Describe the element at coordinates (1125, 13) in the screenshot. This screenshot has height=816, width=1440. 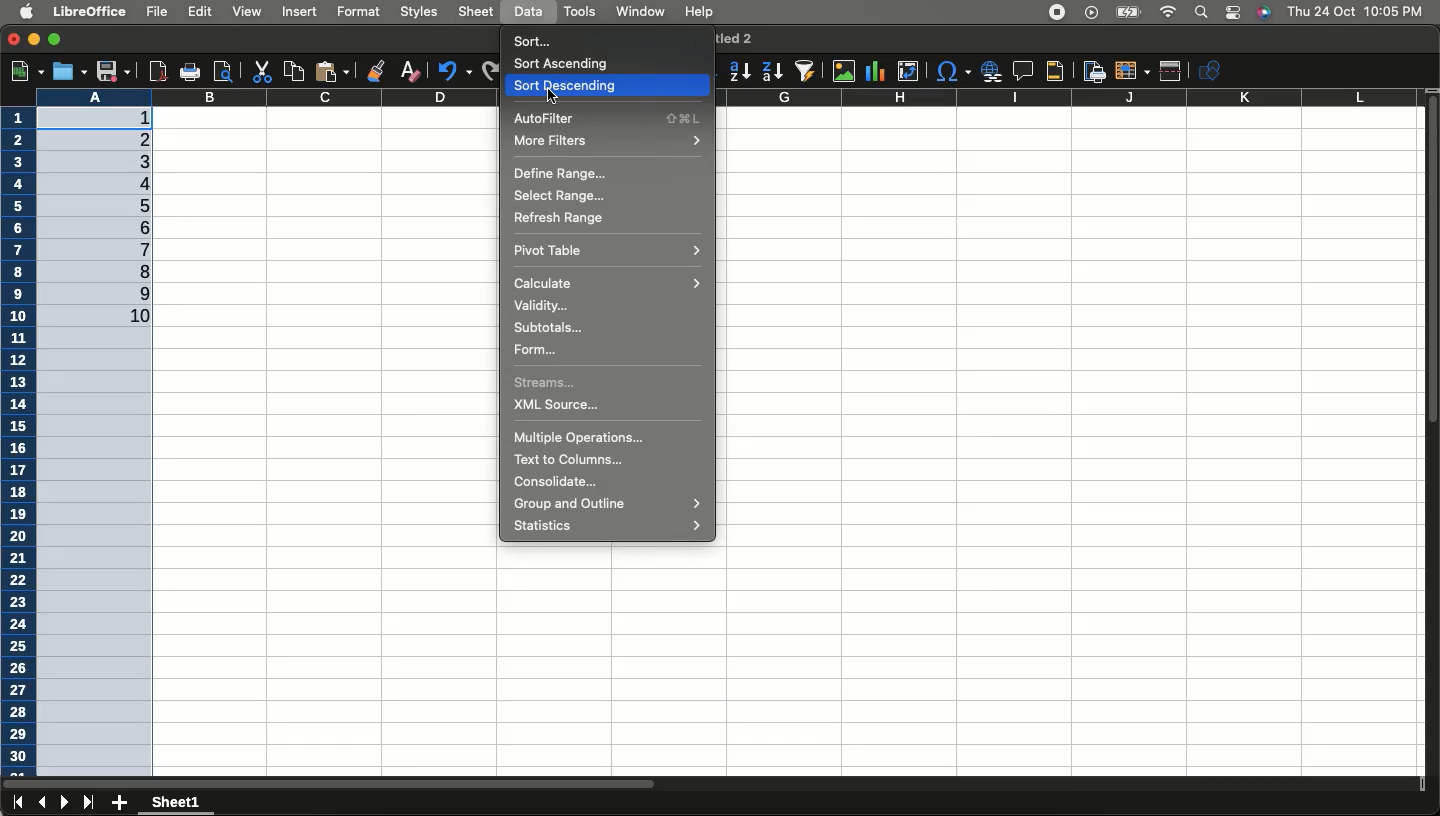
I see `Charge` at that location.